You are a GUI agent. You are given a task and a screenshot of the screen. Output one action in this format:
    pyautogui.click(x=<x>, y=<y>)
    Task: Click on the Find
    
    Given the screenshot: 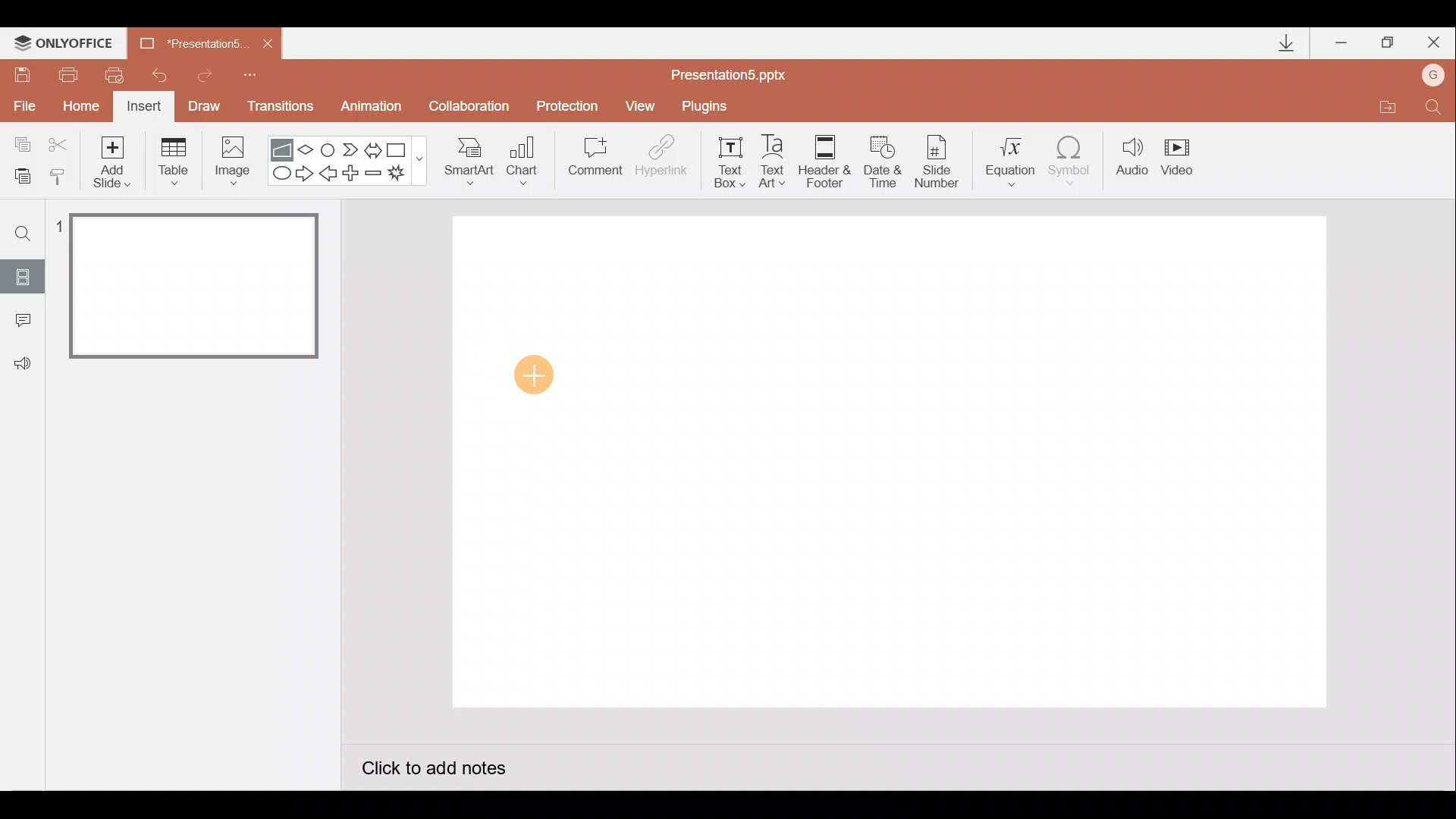 What is the action you would take?
    pyautogui.click(x=24, y=233)
    